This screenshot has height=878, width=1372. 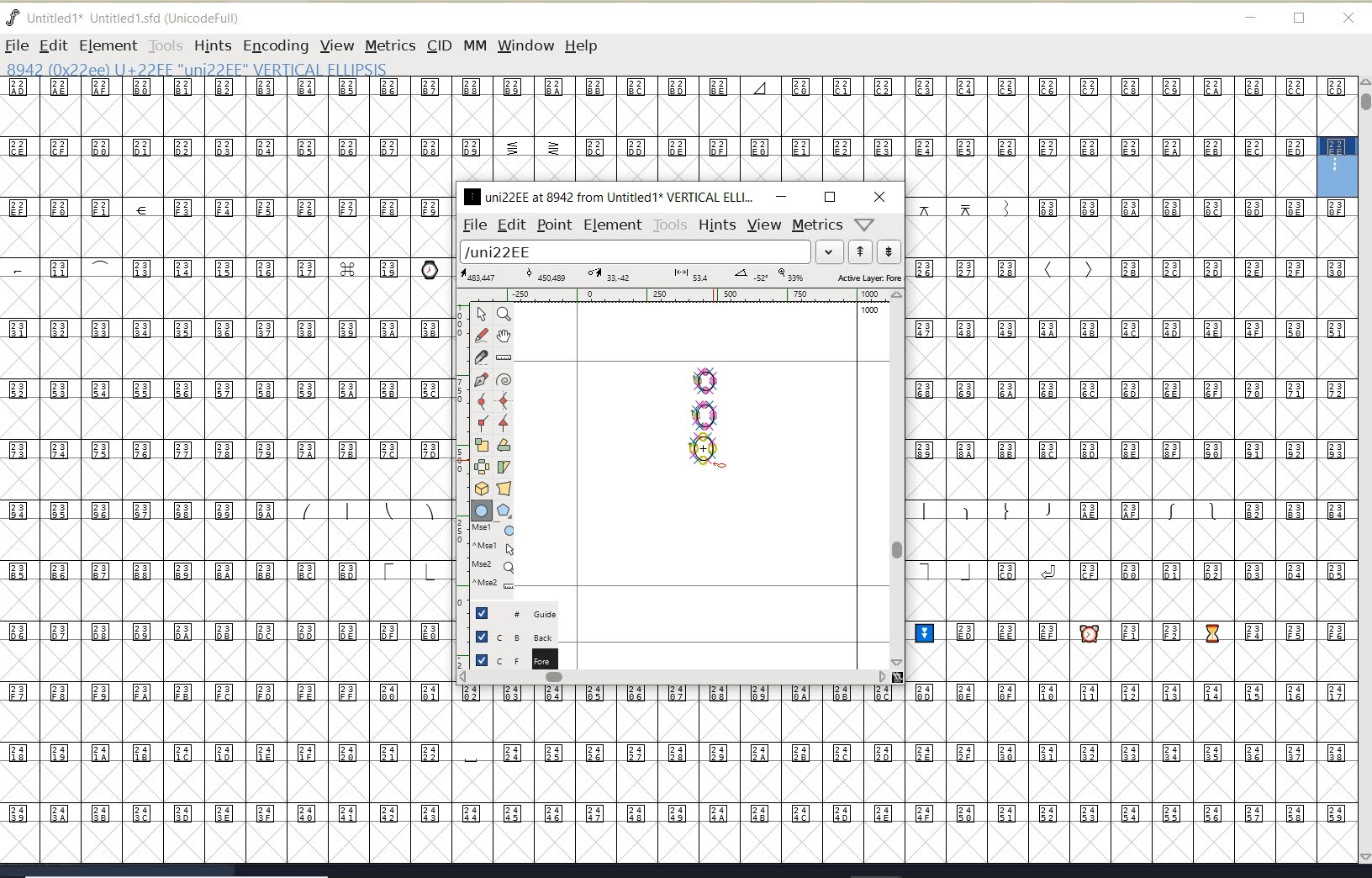 I want to click on load word list, so click(x=648, y=253).